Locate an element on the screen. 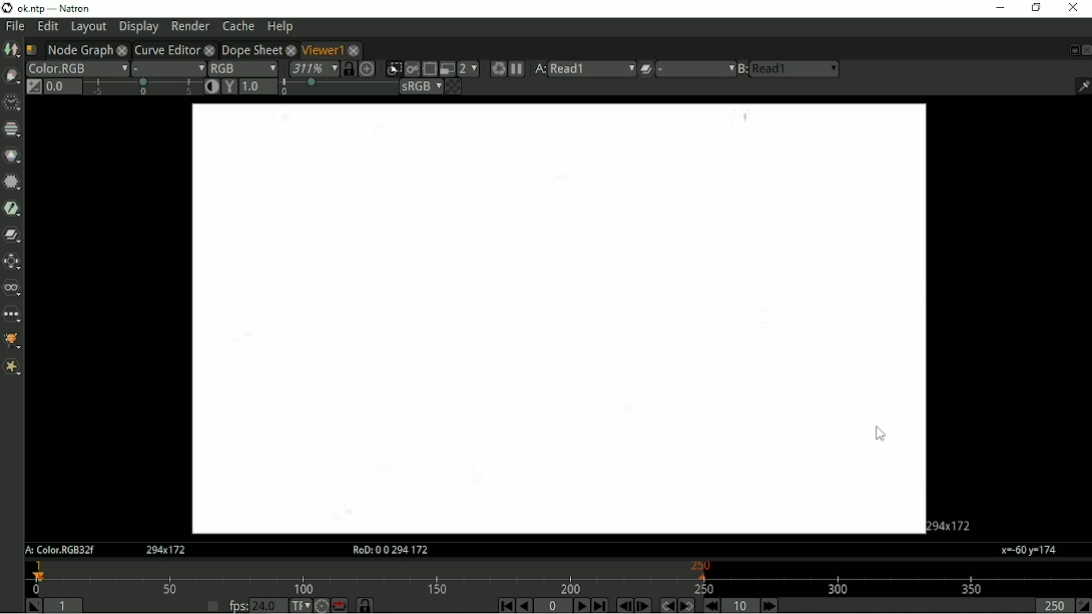  Dope Sheet is located at coordinates (251, 48).